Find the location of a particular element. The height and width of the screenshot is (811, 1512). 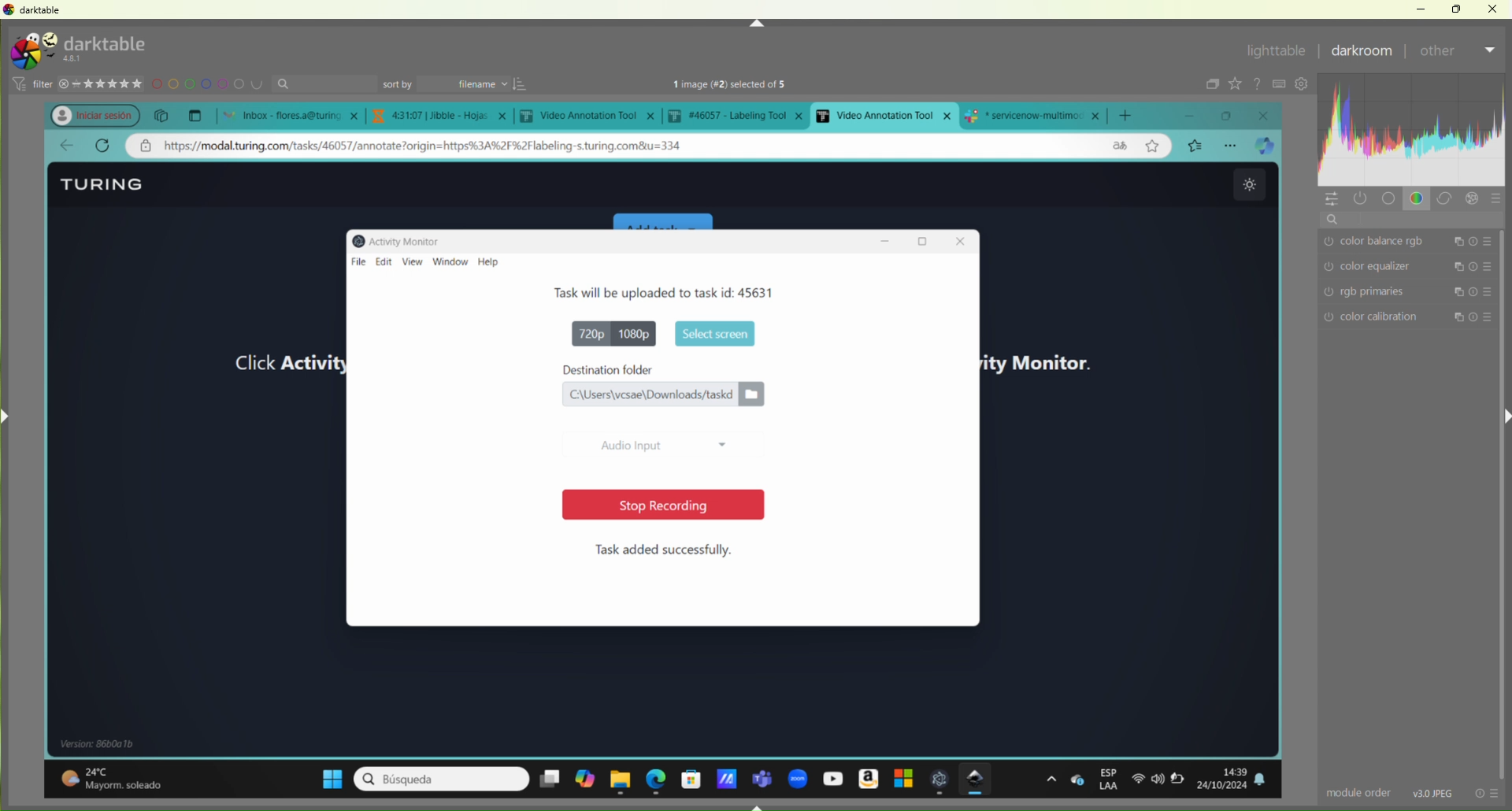

Task added successfully is located at coordinates (665, 550).